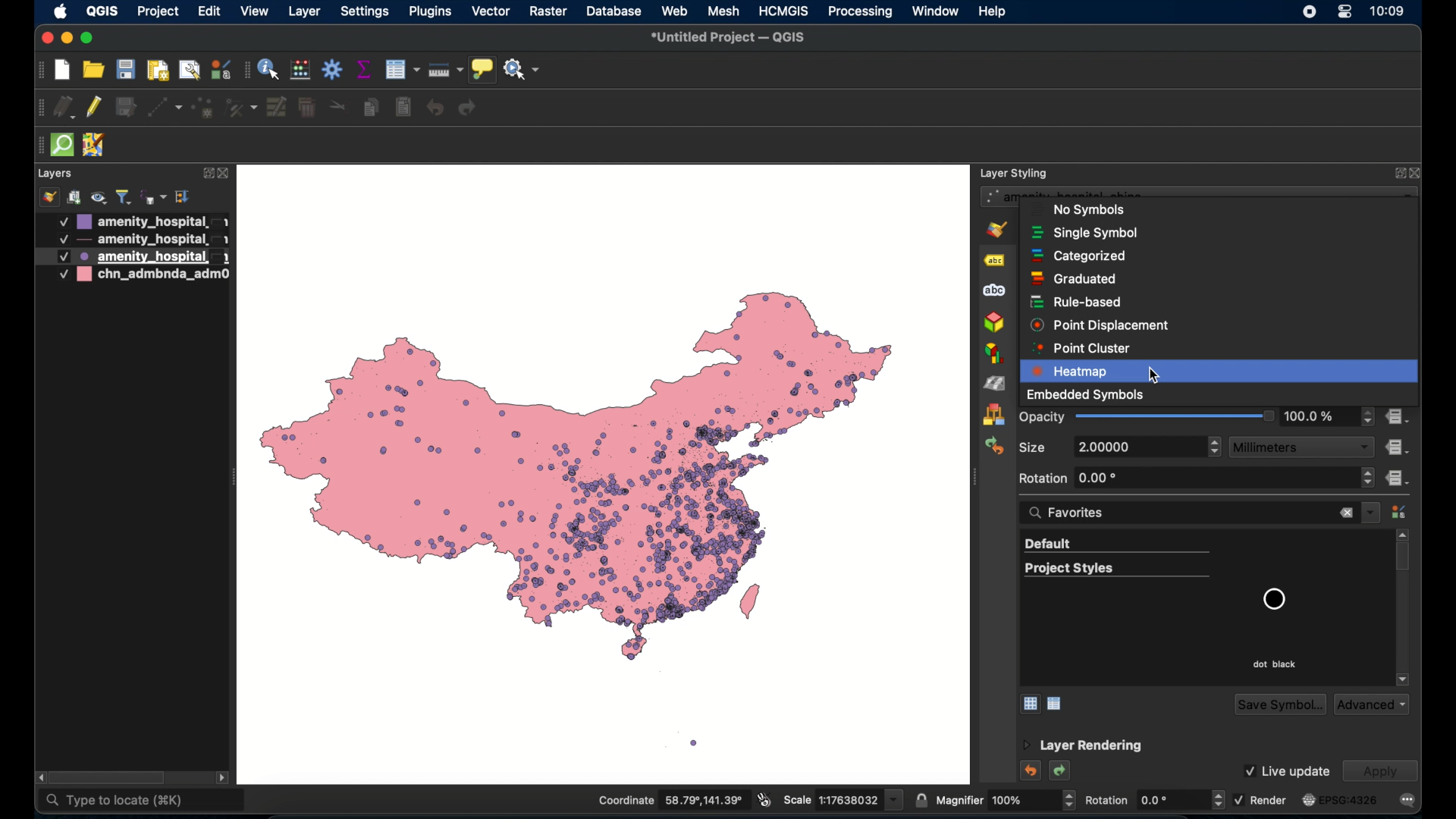 Image resolution: width=1456 pixels, height=819 pixels. Describe the element at coordinates (993, 415) in the screenshot. I see `style manager` at that location.